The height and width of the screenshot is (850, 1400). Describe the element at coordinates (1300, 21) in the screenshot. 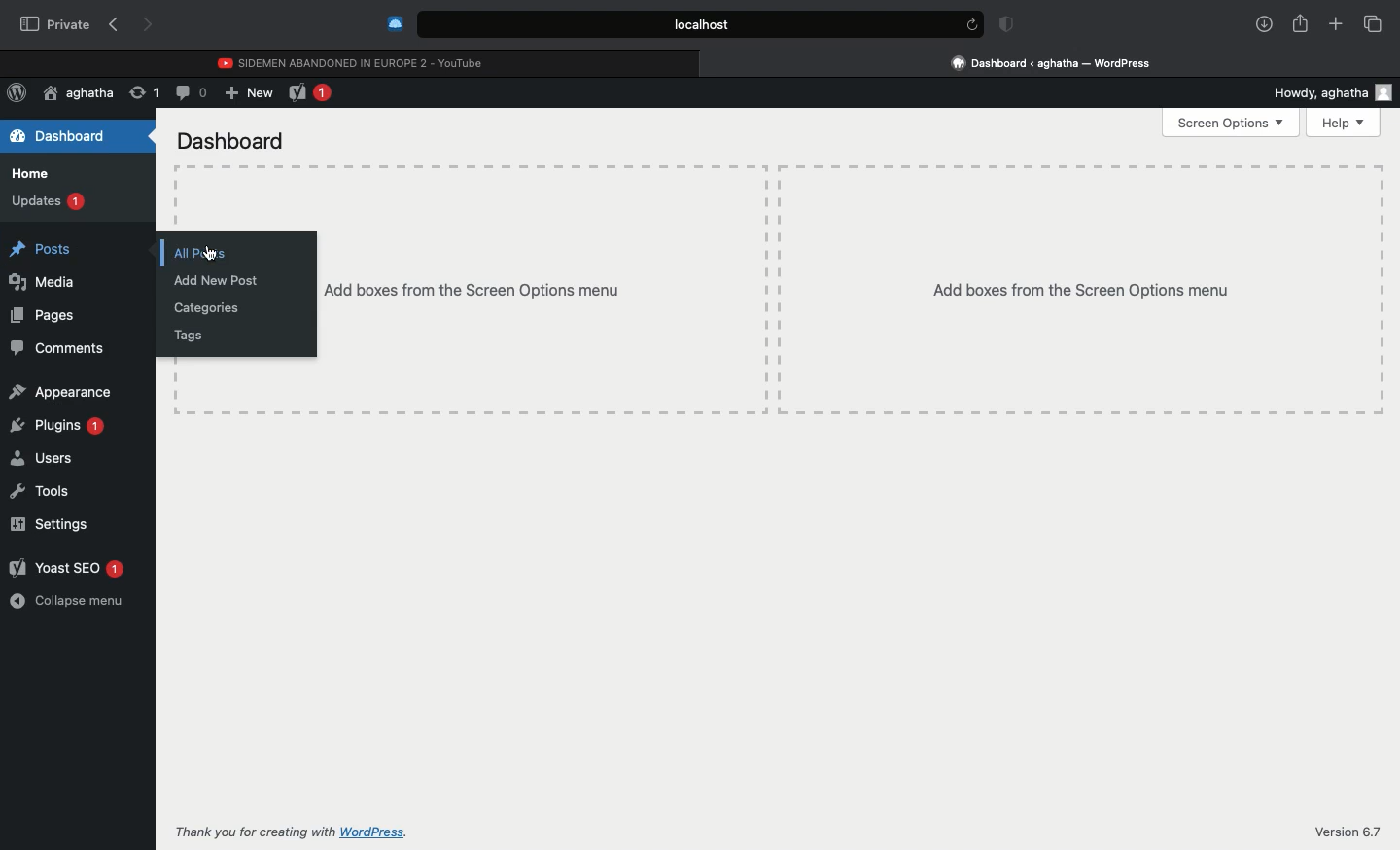

I see `Share` at that location.